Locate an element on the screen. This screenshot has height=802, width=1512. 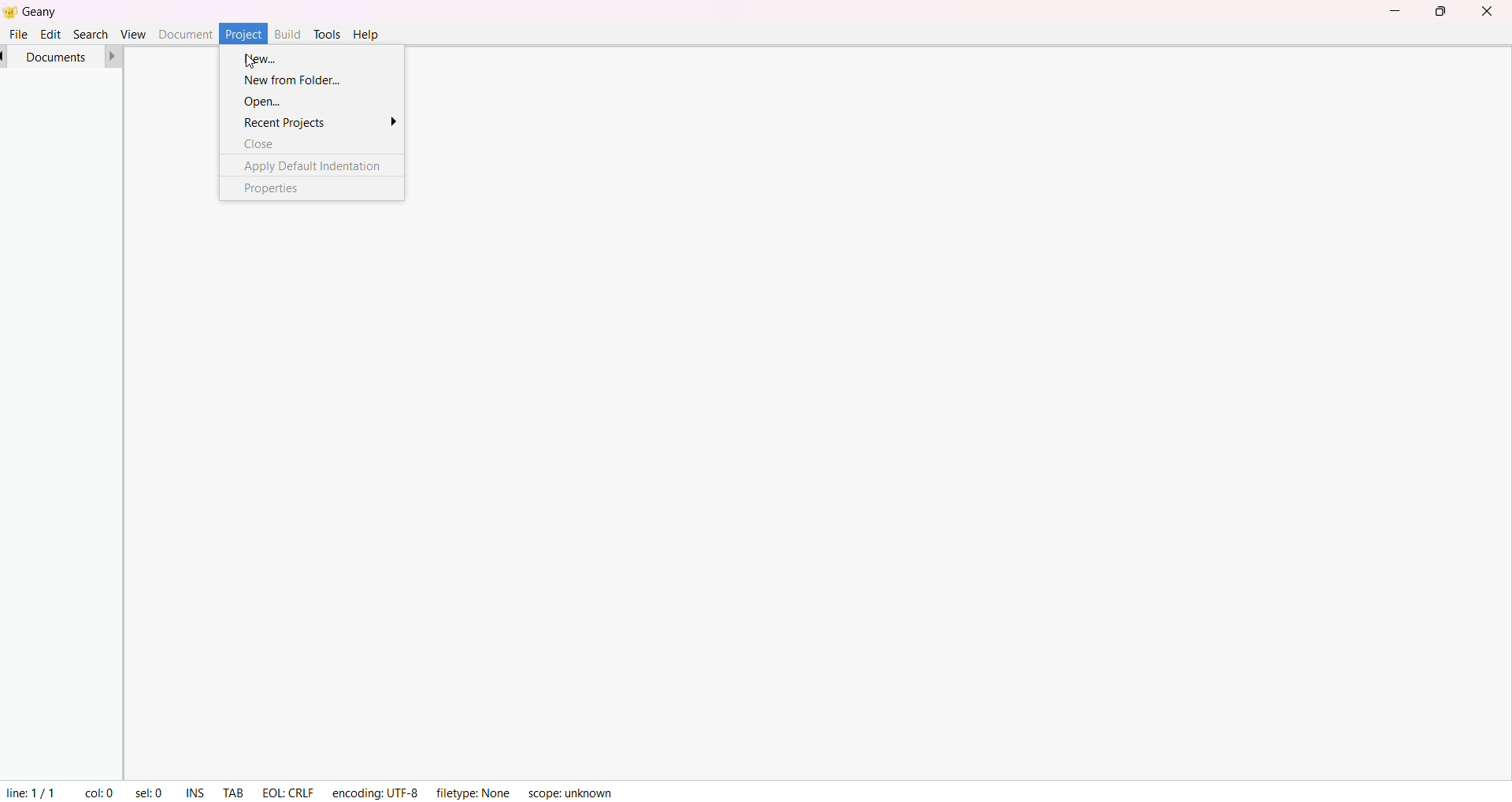
cursor is located at coordinates (254, 62).